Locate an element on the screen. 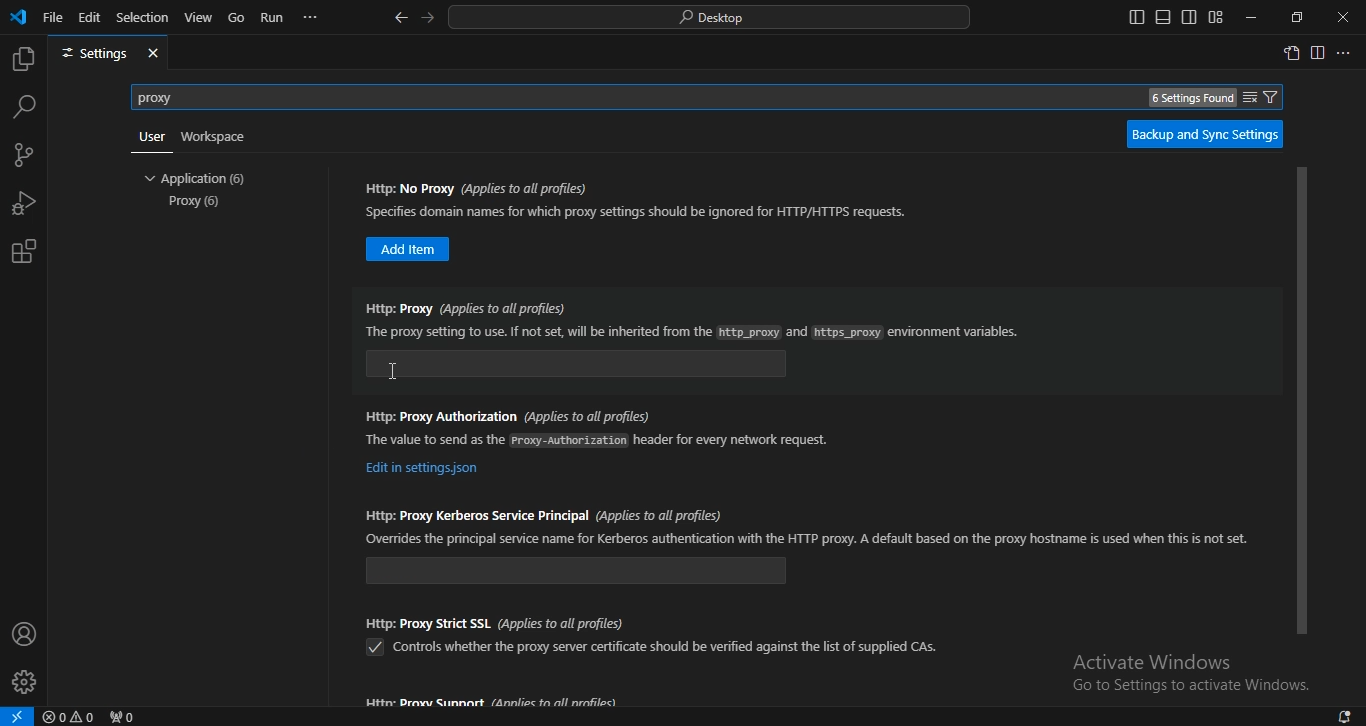  search is located at coordinates (711, 18).